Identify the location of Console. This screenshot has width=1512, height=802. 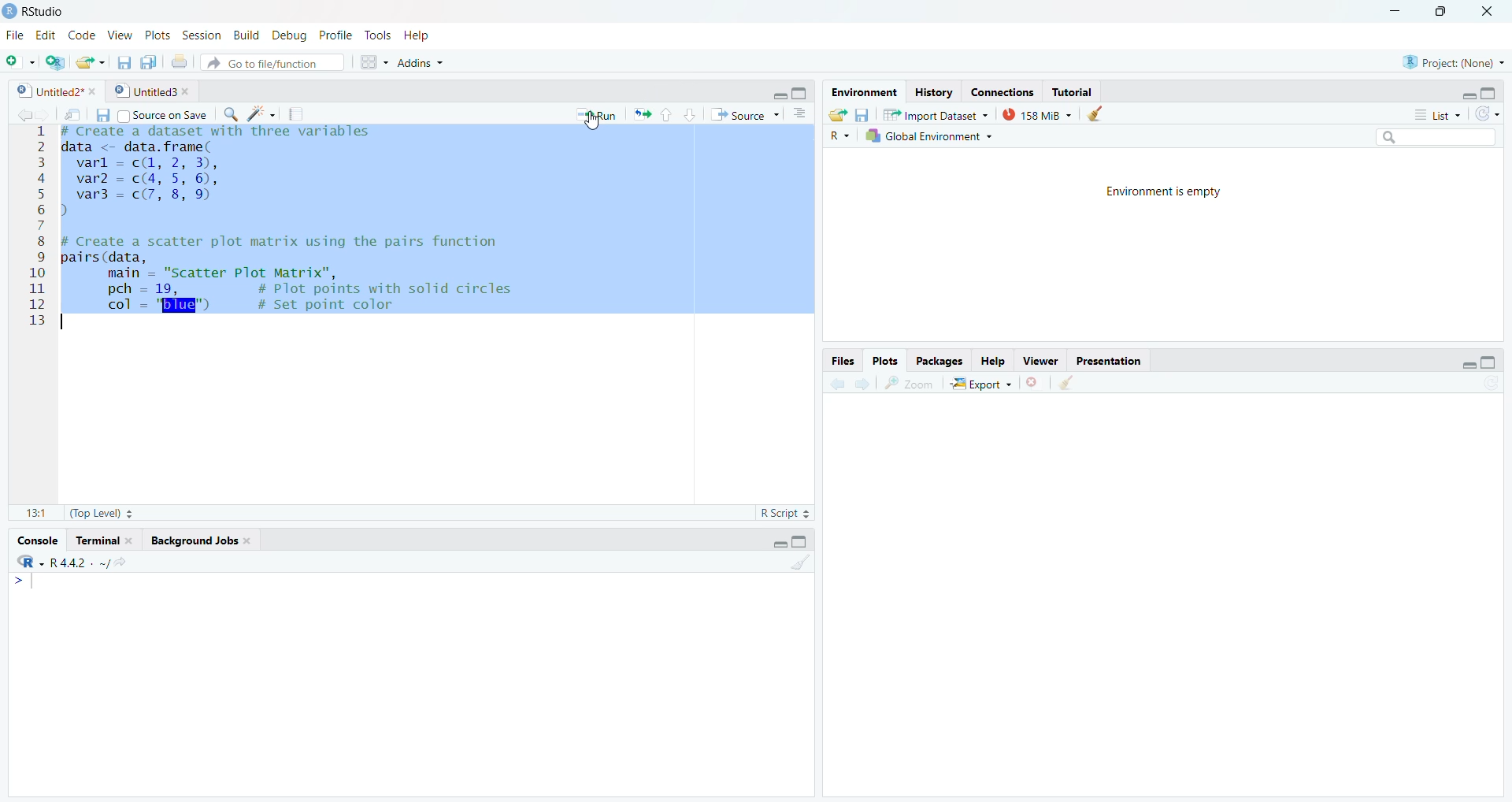
(41, 537).